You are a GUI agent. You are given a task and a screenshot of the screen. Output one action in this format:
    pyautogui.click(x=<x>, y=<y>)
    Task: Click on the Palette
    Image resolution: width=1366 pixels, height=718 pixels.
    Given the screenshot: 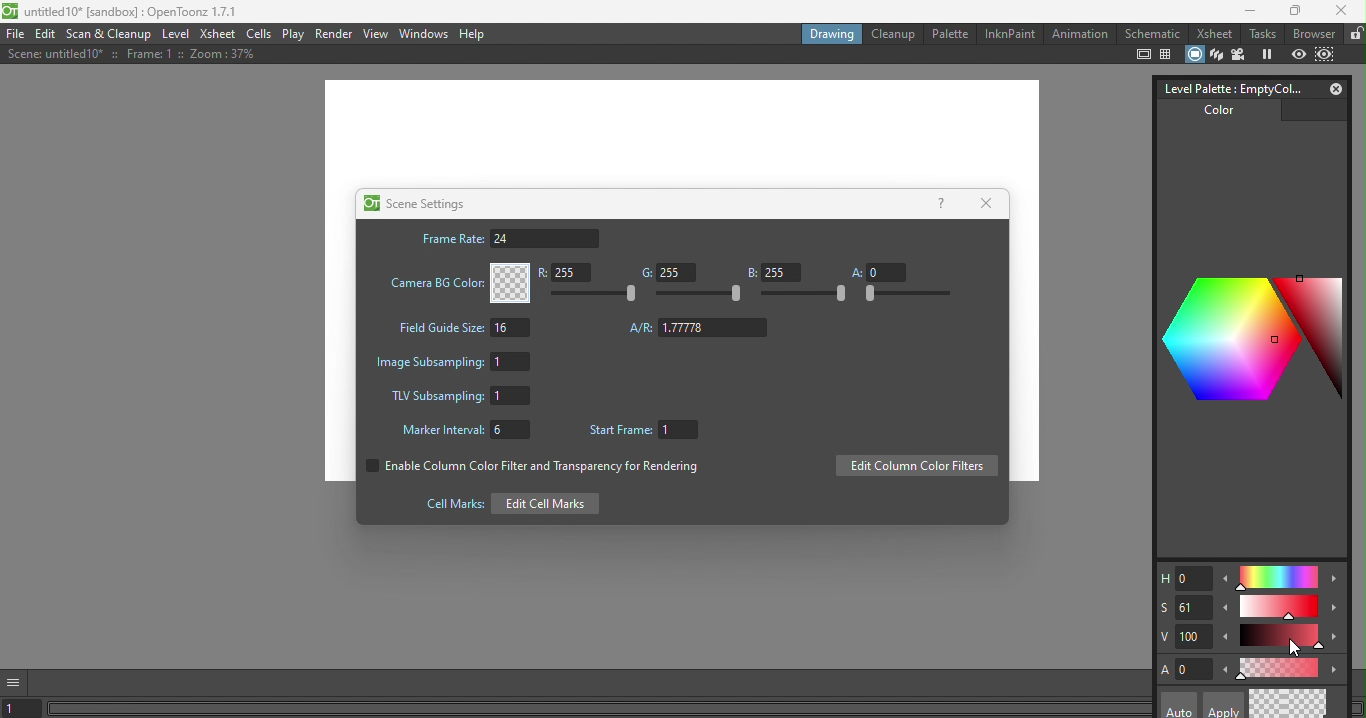 What is the action you would take?
    pyautogui.click(x=949, y=33)
    